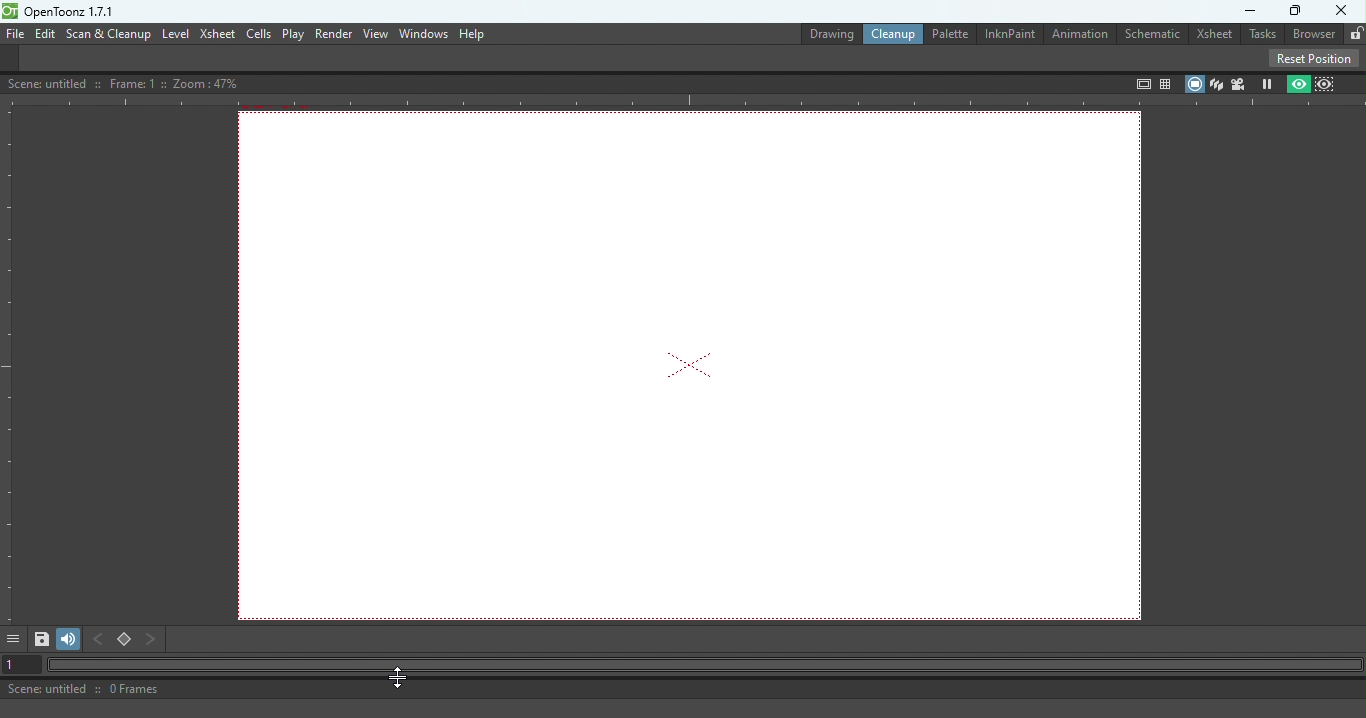  Describe the element at coordinates (1244, 11) in the screenshot. I see `Minimize` at that location.